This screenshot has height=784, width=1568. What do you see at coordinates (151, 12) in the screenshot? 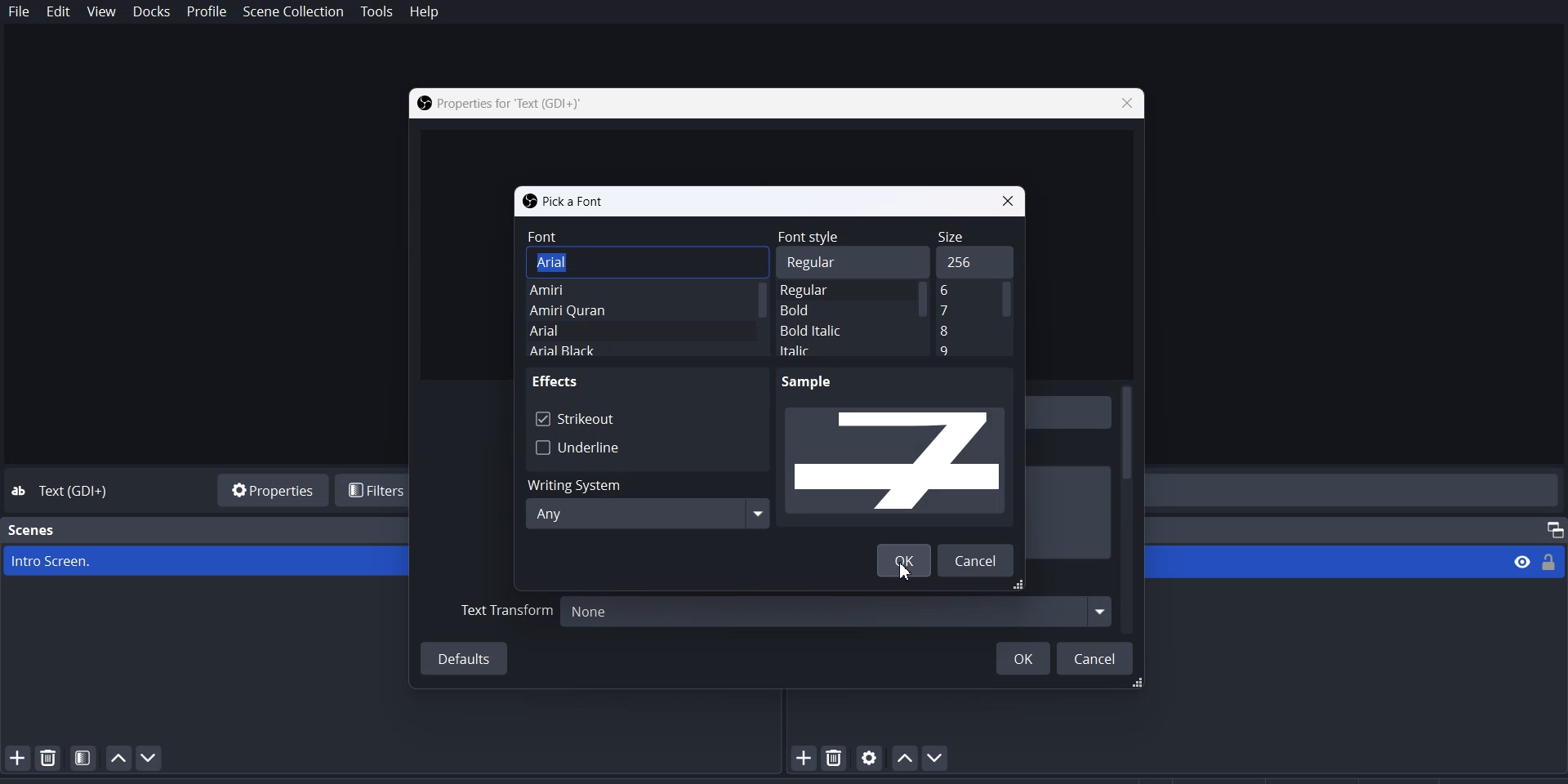
I see `Docks` at bounding box center [151, 12].